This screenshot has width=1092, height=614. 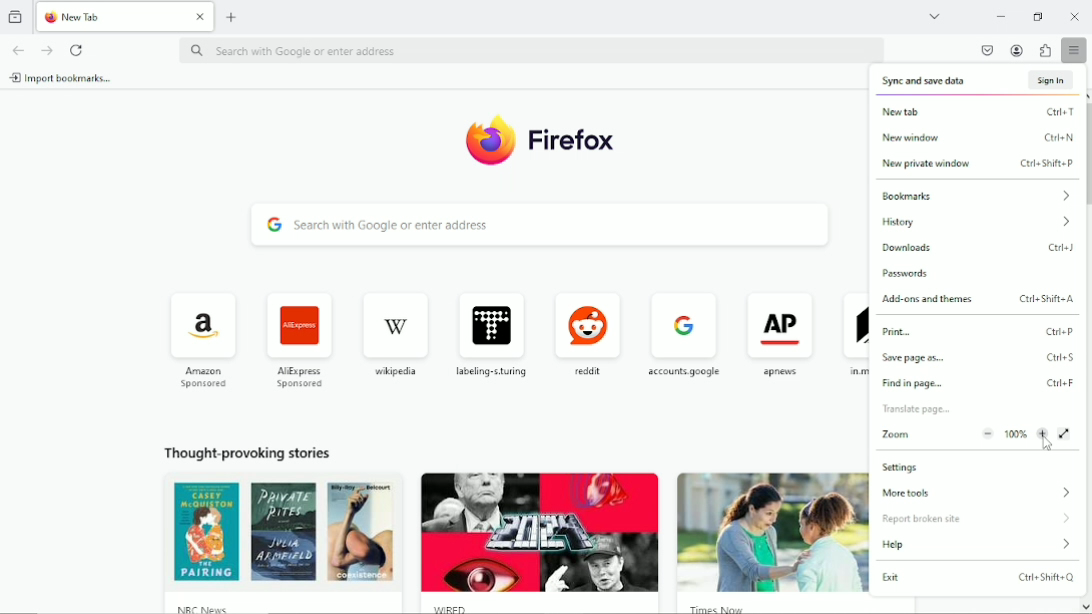 What do you see at coordinates (207, 336) in the screenshot?
I see `amazon` at bounding box center [207, 336].